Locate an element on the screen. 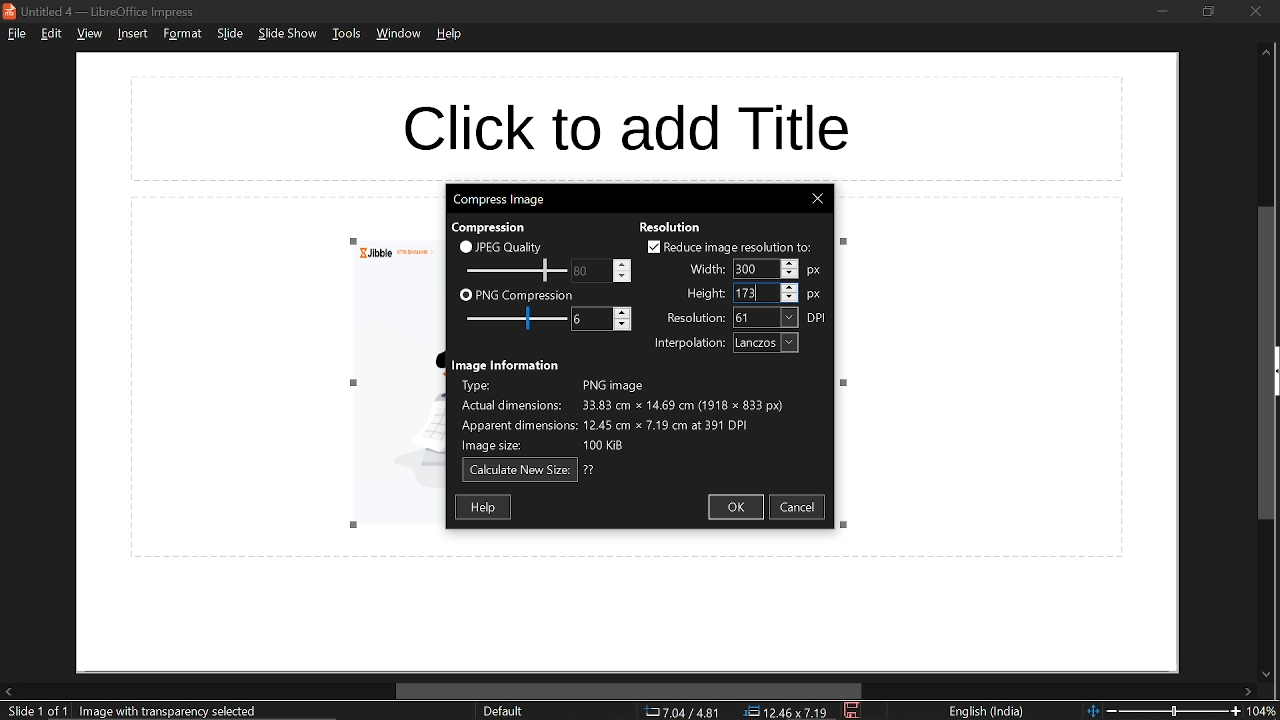  Decrease  is located at coordinates (623, 326).